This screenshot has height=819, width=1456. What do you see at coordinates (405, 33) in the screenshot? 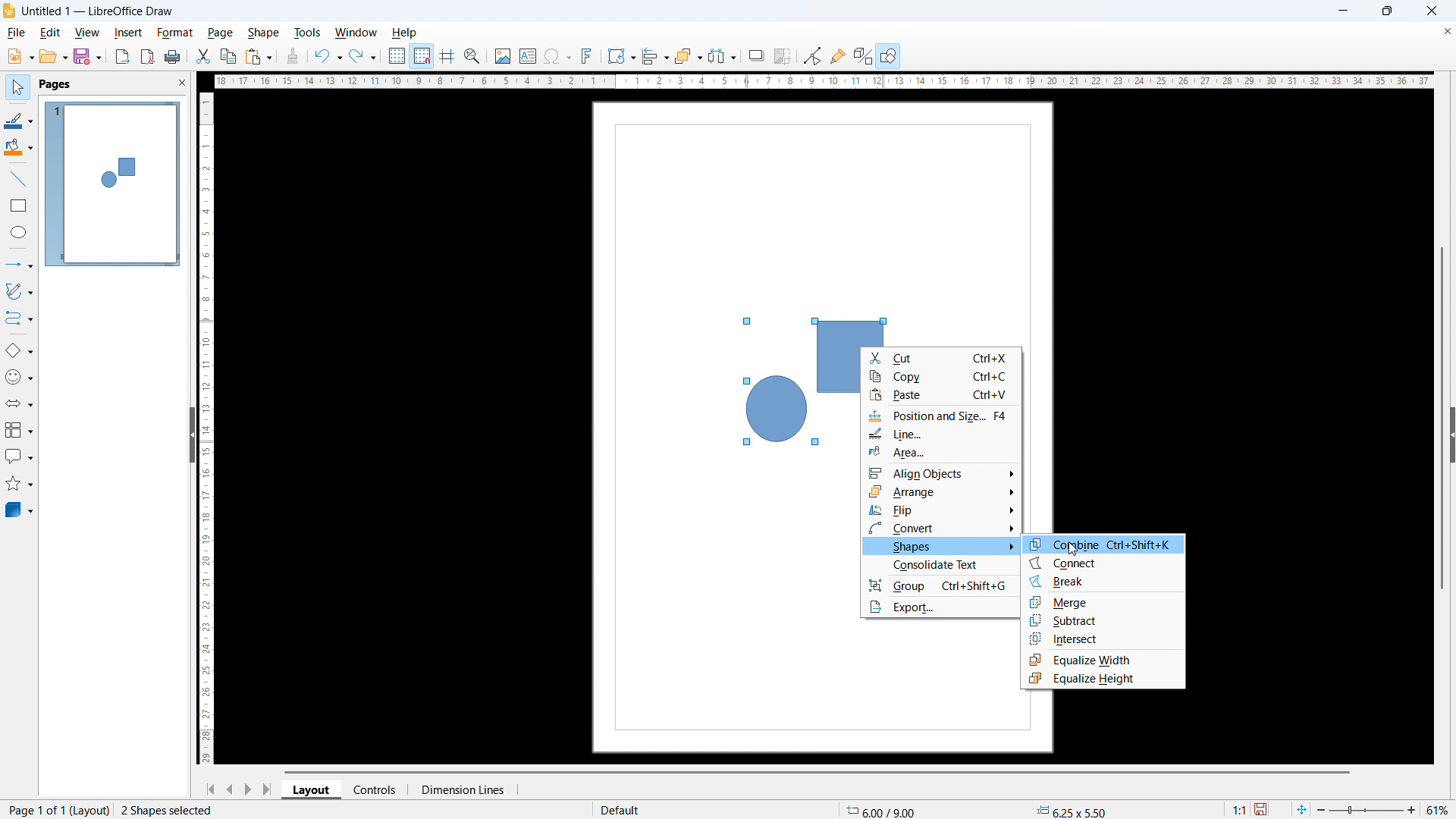
I see `help` at bounding box center [405, 33].